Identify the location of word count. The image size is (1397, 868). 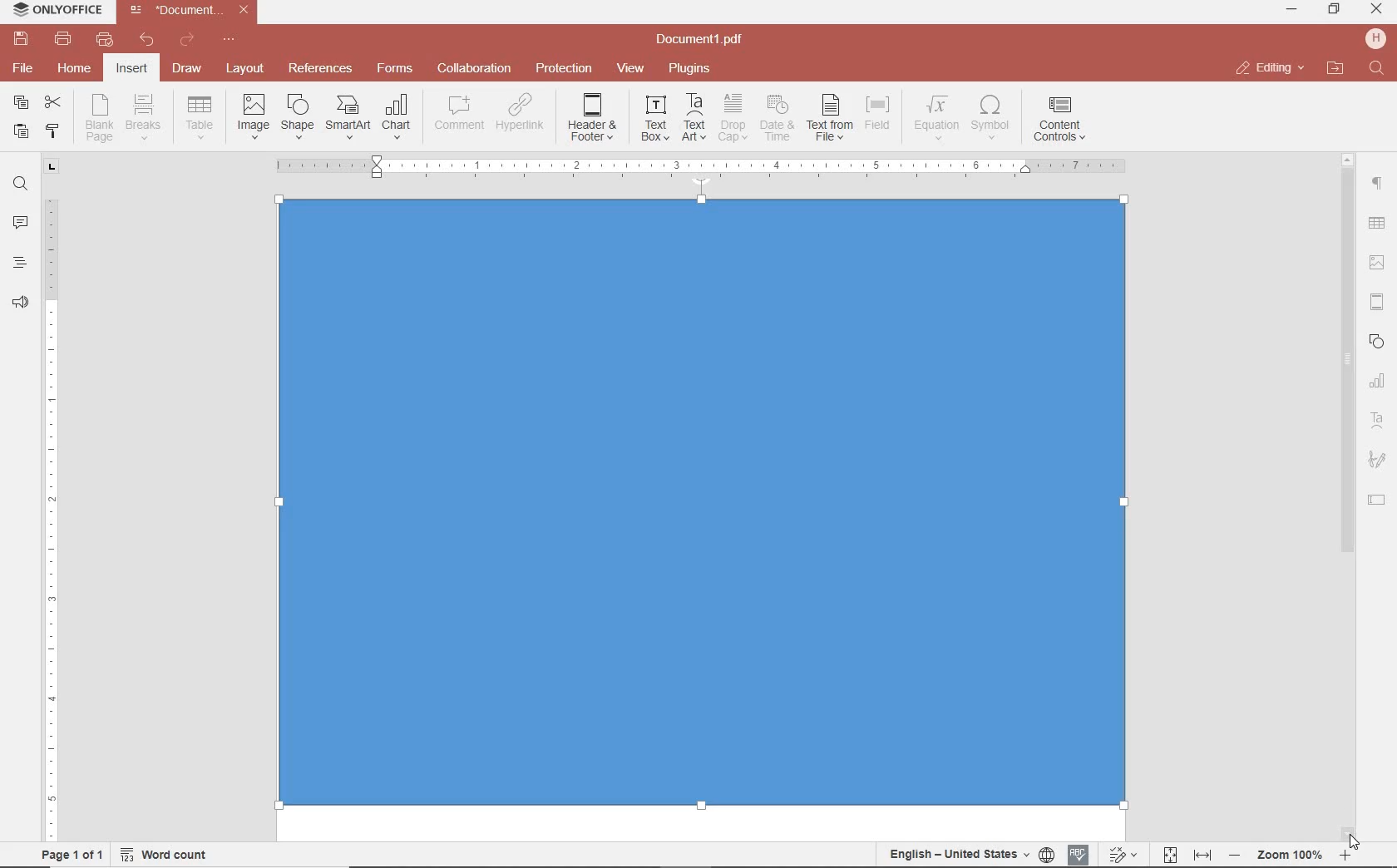
(170, 855).